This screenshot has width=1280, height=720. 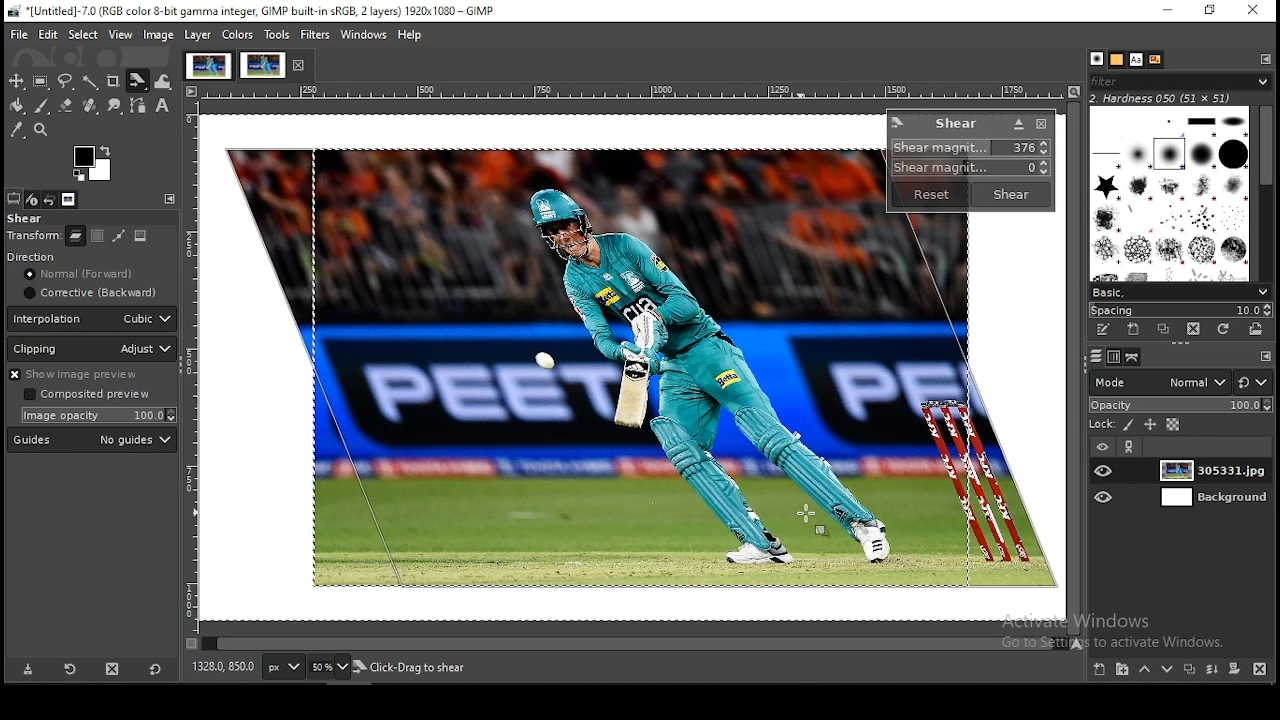 I want to click on image opacity, so click(x=96, y=416).